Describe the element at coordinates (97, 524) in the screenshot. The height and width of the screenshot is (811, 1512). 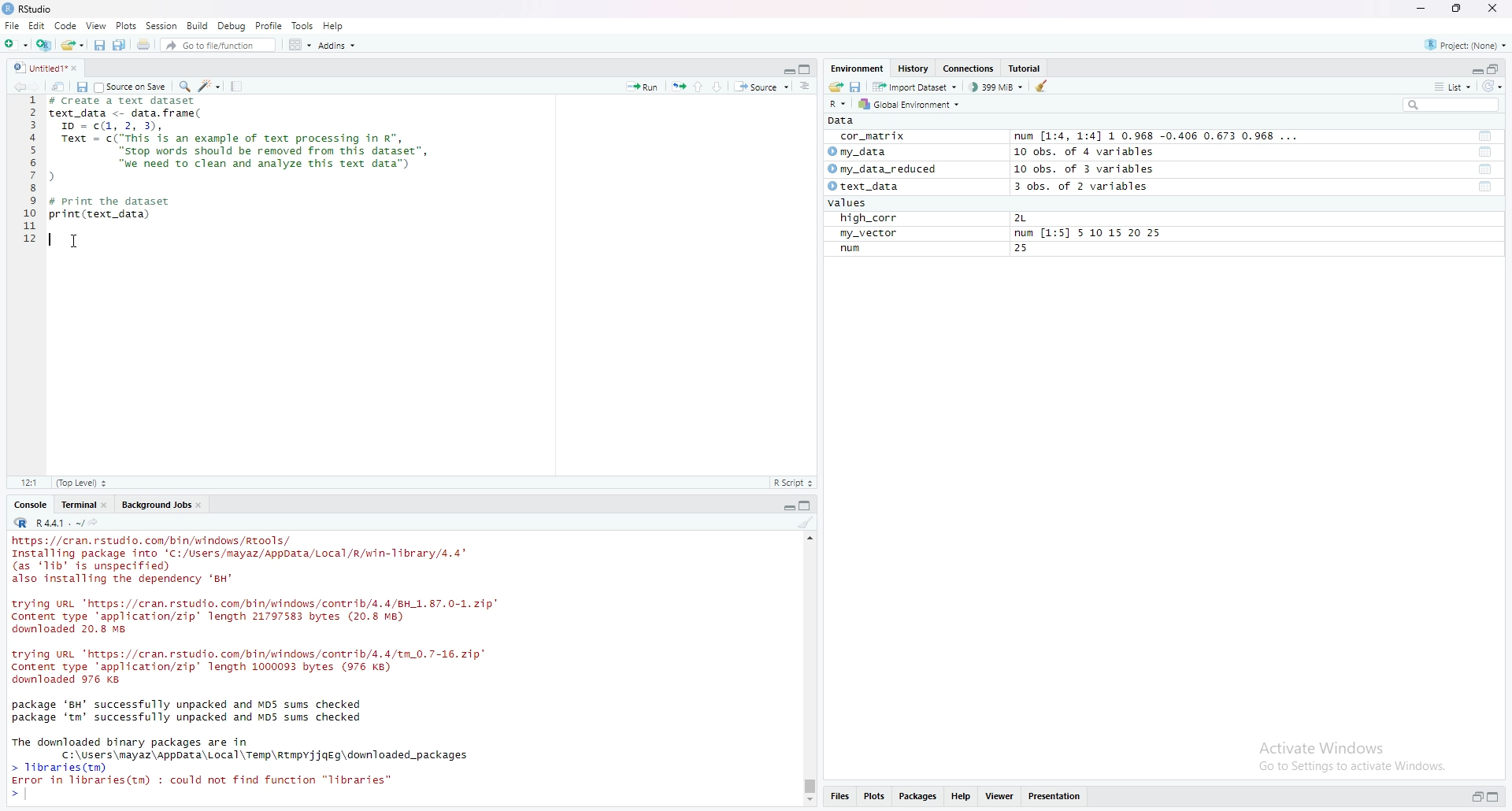
I see `view the current working directory` at that location.